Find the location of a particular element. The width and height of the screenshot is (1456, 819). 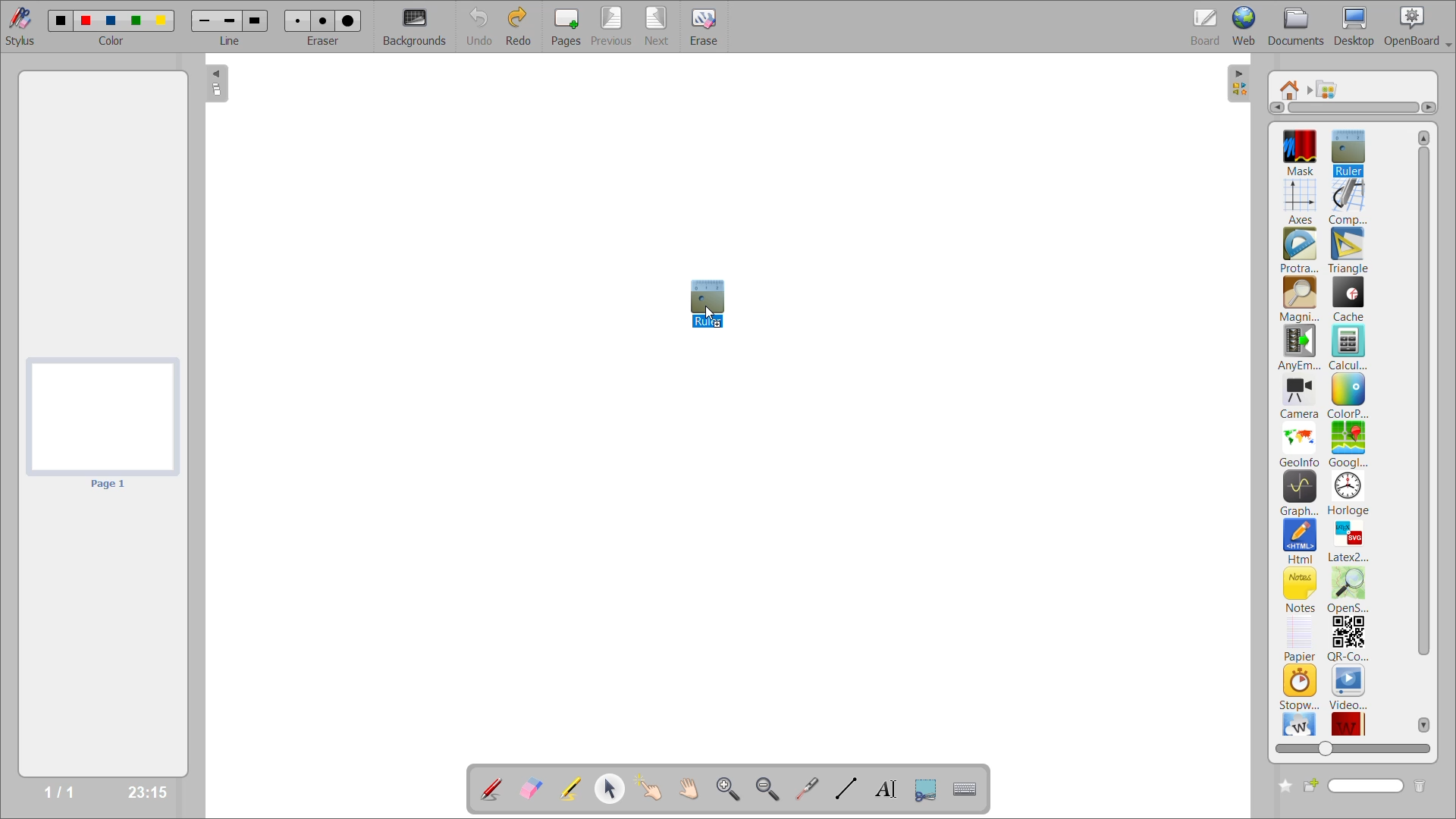

colorpicker is located at coordinates (1348, 396).